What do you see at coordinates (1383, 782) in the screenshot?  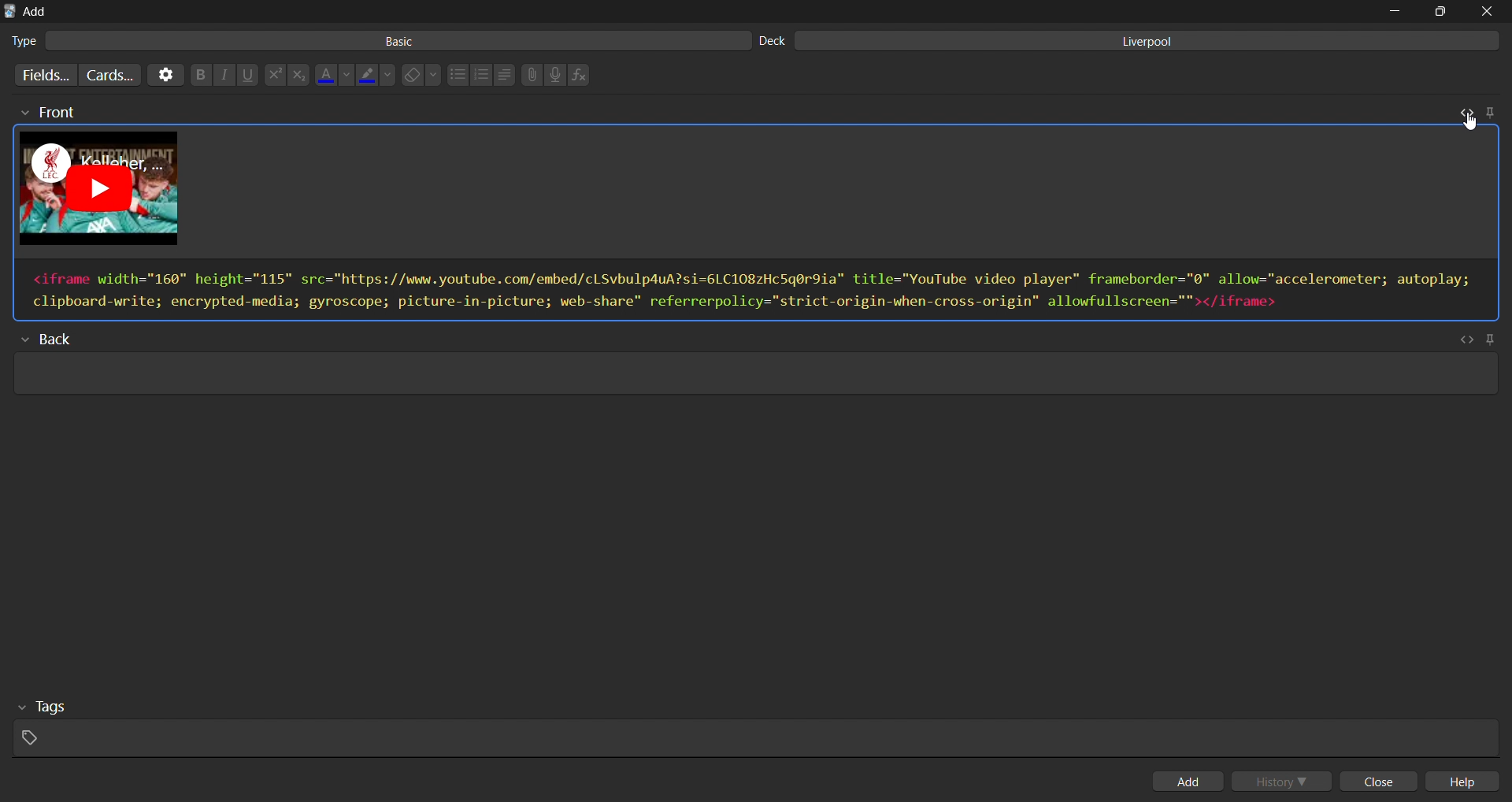 I see `close` at bounding box center [1383, 782].